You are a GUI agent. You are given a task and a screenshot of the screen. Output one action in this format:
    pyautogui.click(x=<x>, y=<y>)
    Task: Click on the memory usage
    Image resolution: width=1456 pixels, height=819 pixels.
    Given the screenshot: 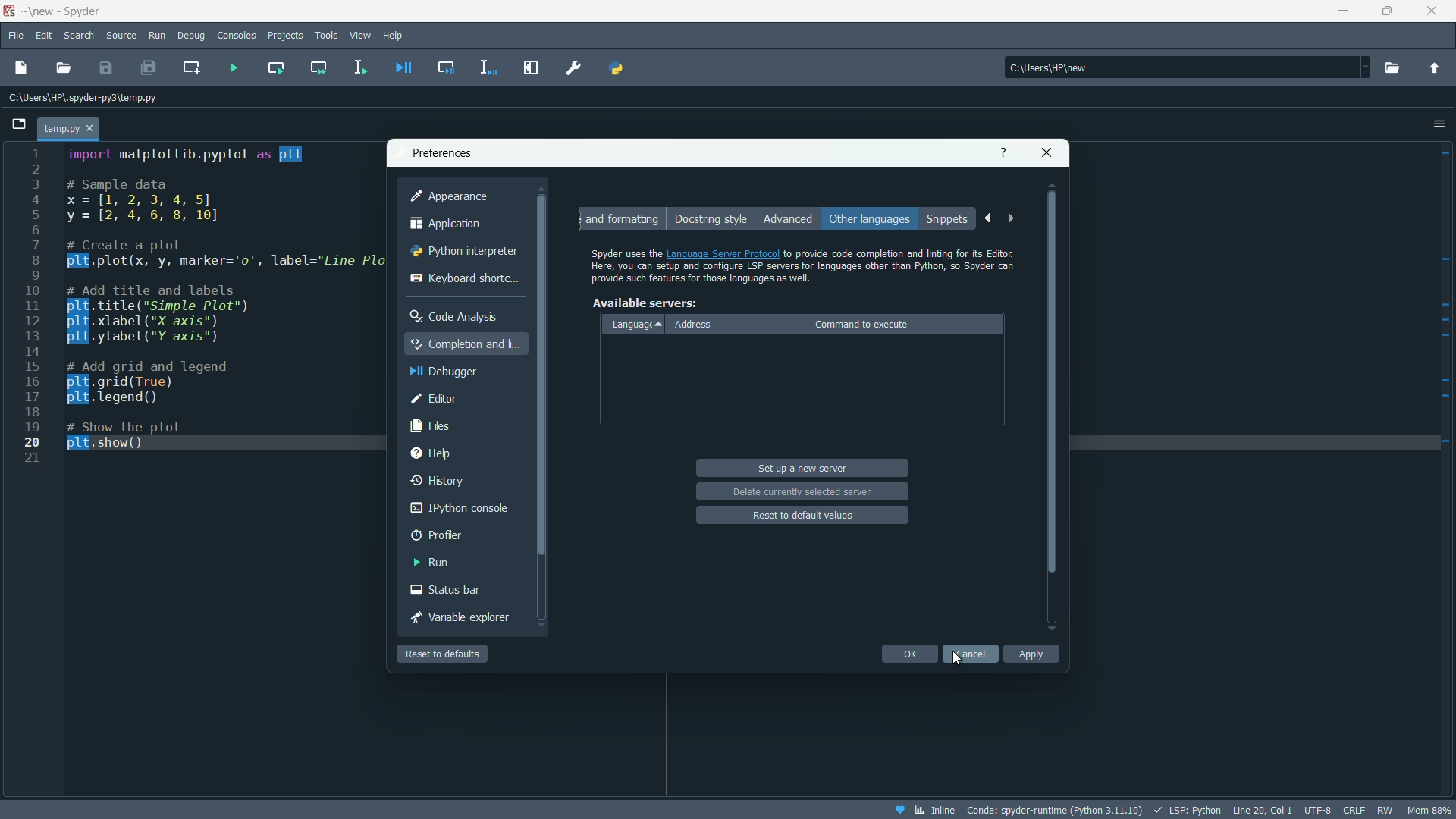 What is the action you would take?
    pyautogui.click(x=1432, y=810)
    